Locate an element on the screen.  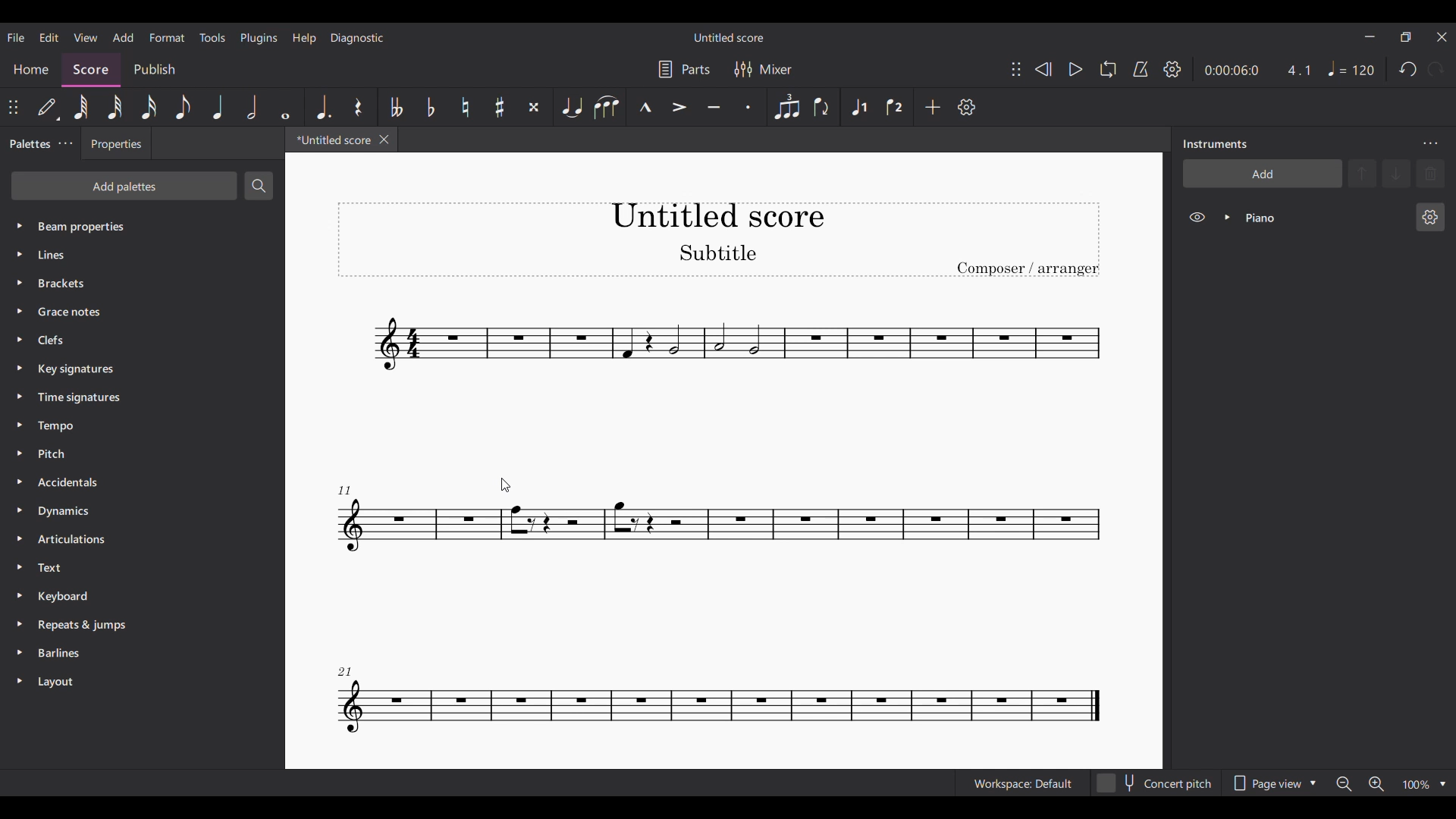
Instrument settings is located at coordinates (1431, 217).